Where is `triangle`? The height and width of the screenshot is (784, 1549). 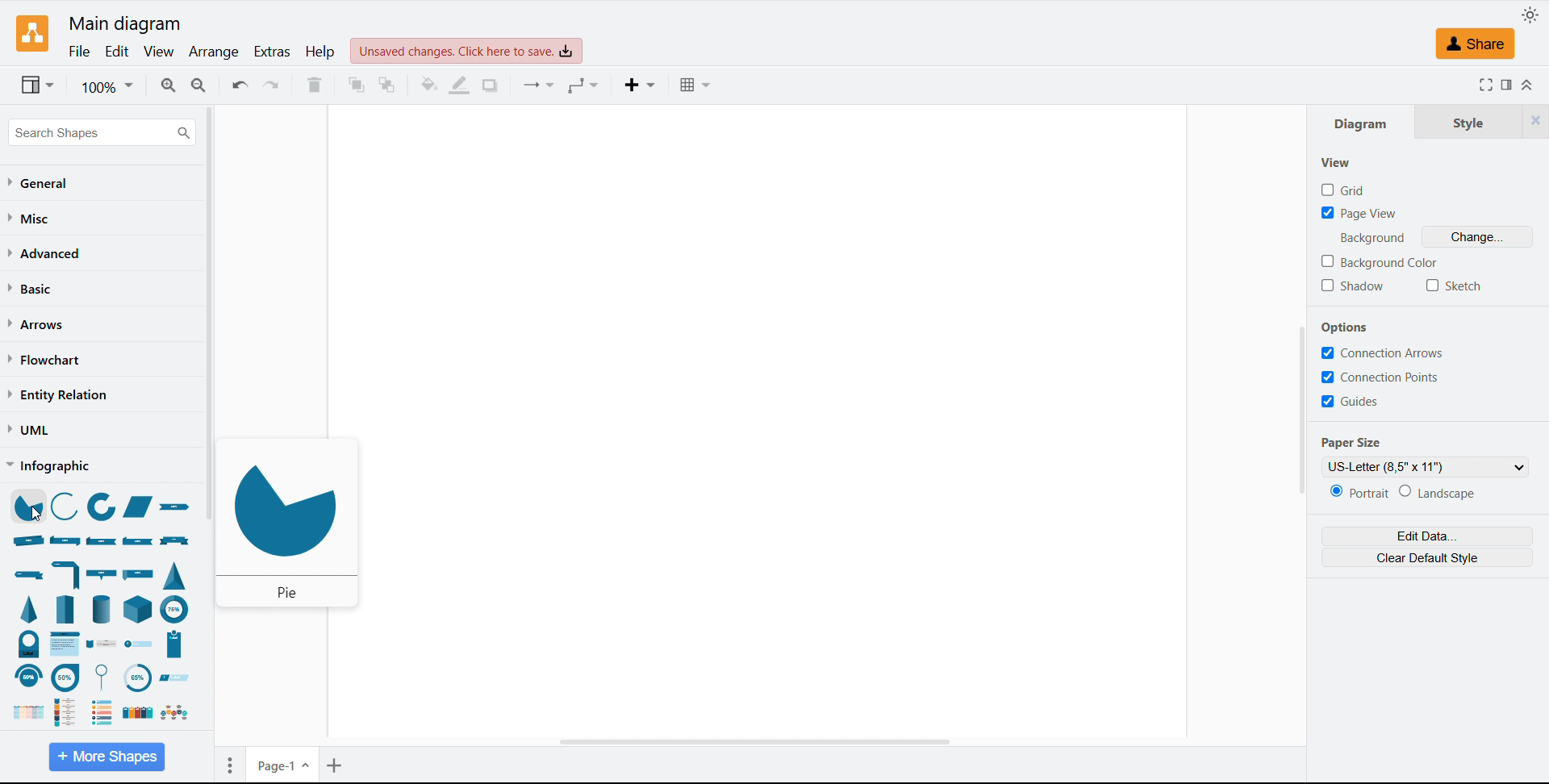 triangle is located at coordinates (173, 576).